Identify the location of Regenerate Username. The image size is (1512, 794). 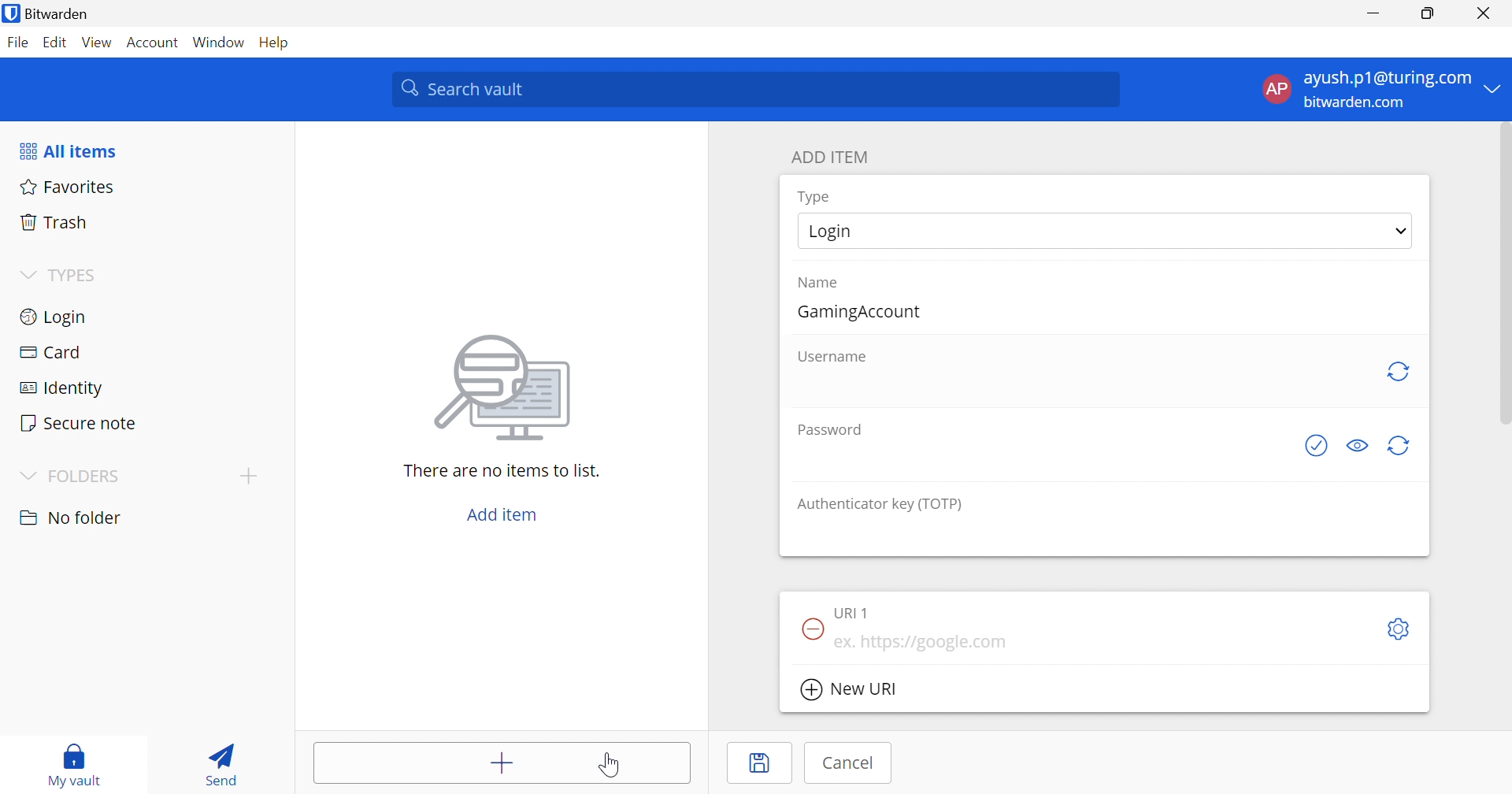
(1397, 370).